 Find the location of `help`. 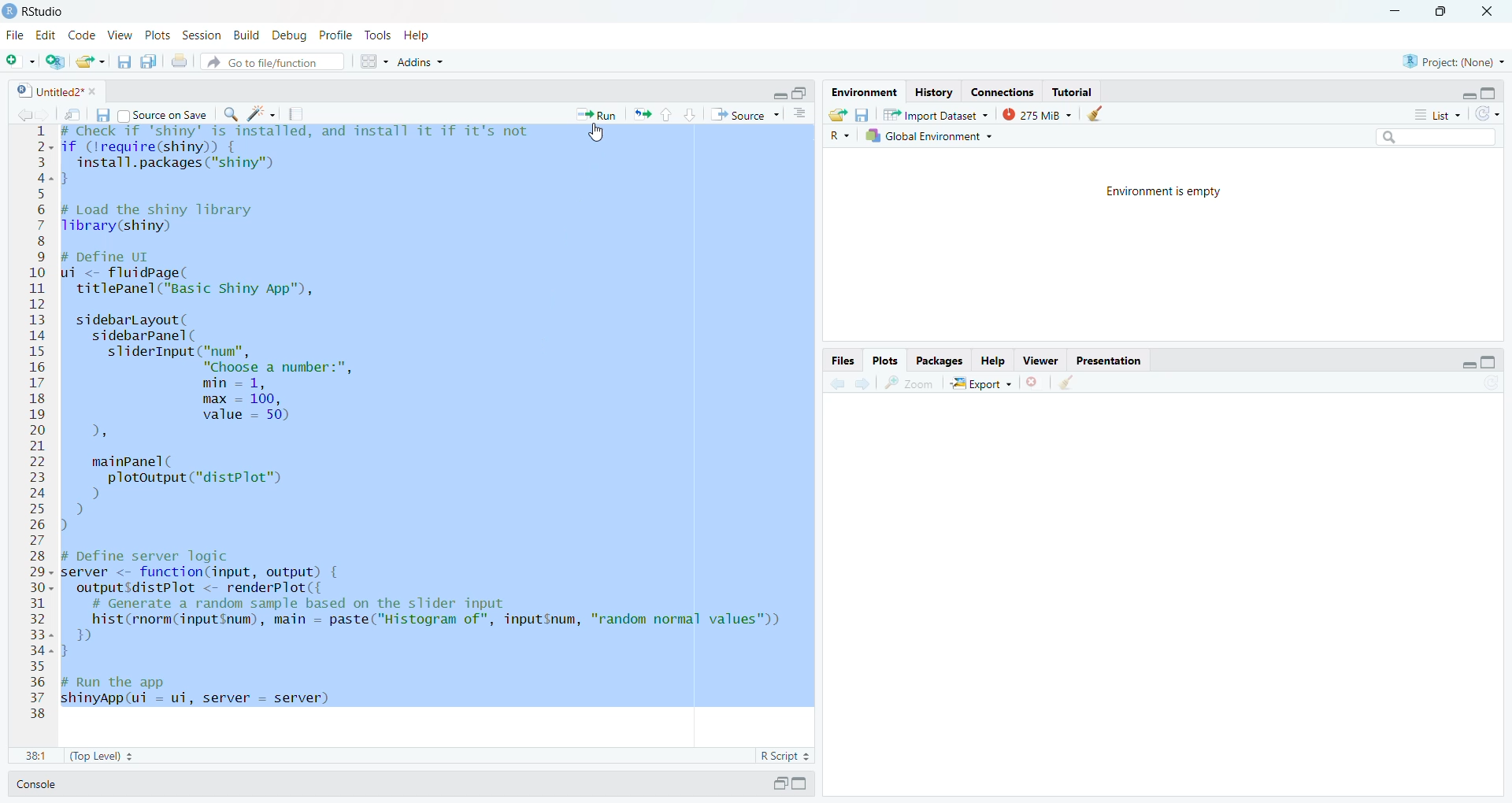

help is located at coordinates (416, 35).